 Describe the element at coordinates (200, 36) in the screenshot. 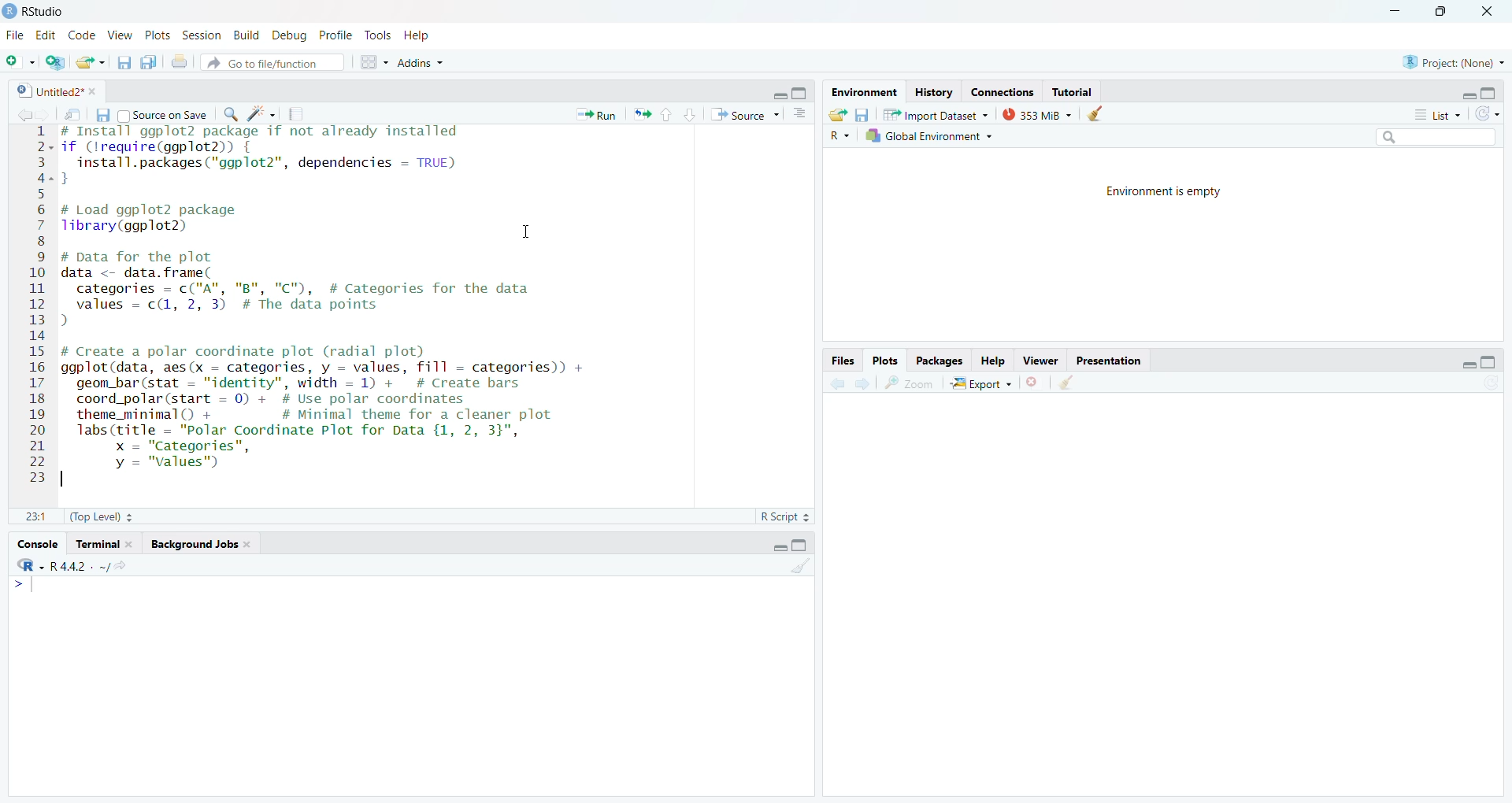

I see `Session` at that location.